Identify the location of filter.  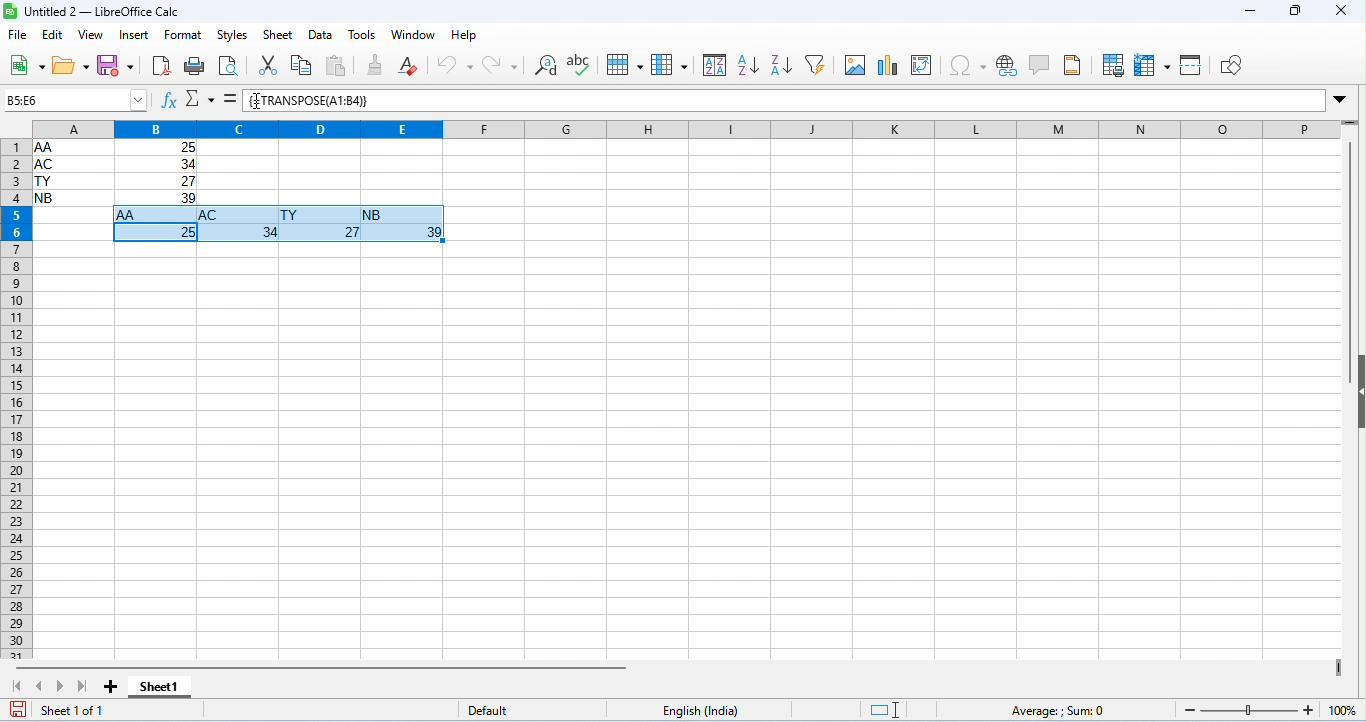
(820, 63).